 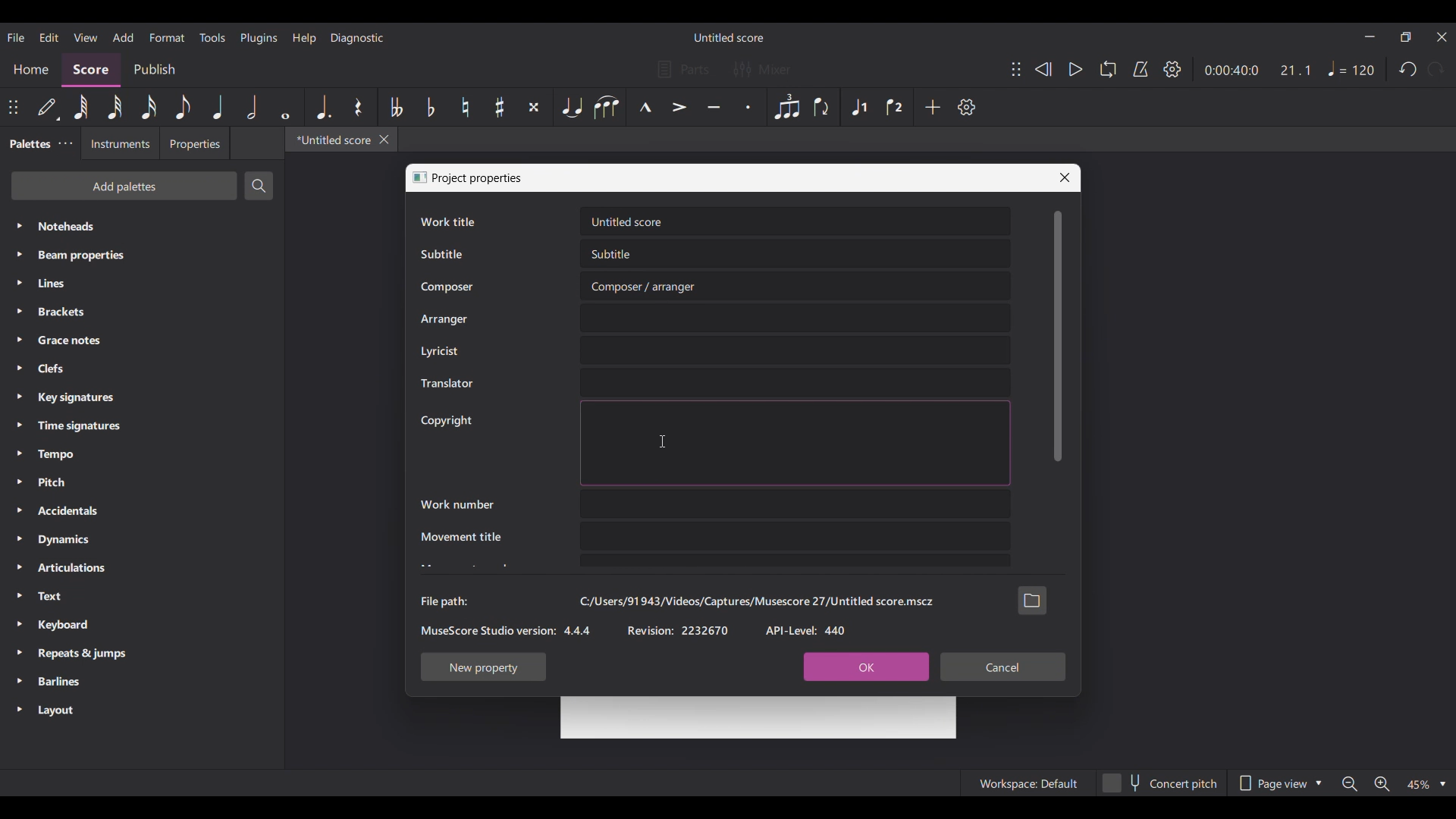 I want to click on Tenuto, so click(x=714, y=107).